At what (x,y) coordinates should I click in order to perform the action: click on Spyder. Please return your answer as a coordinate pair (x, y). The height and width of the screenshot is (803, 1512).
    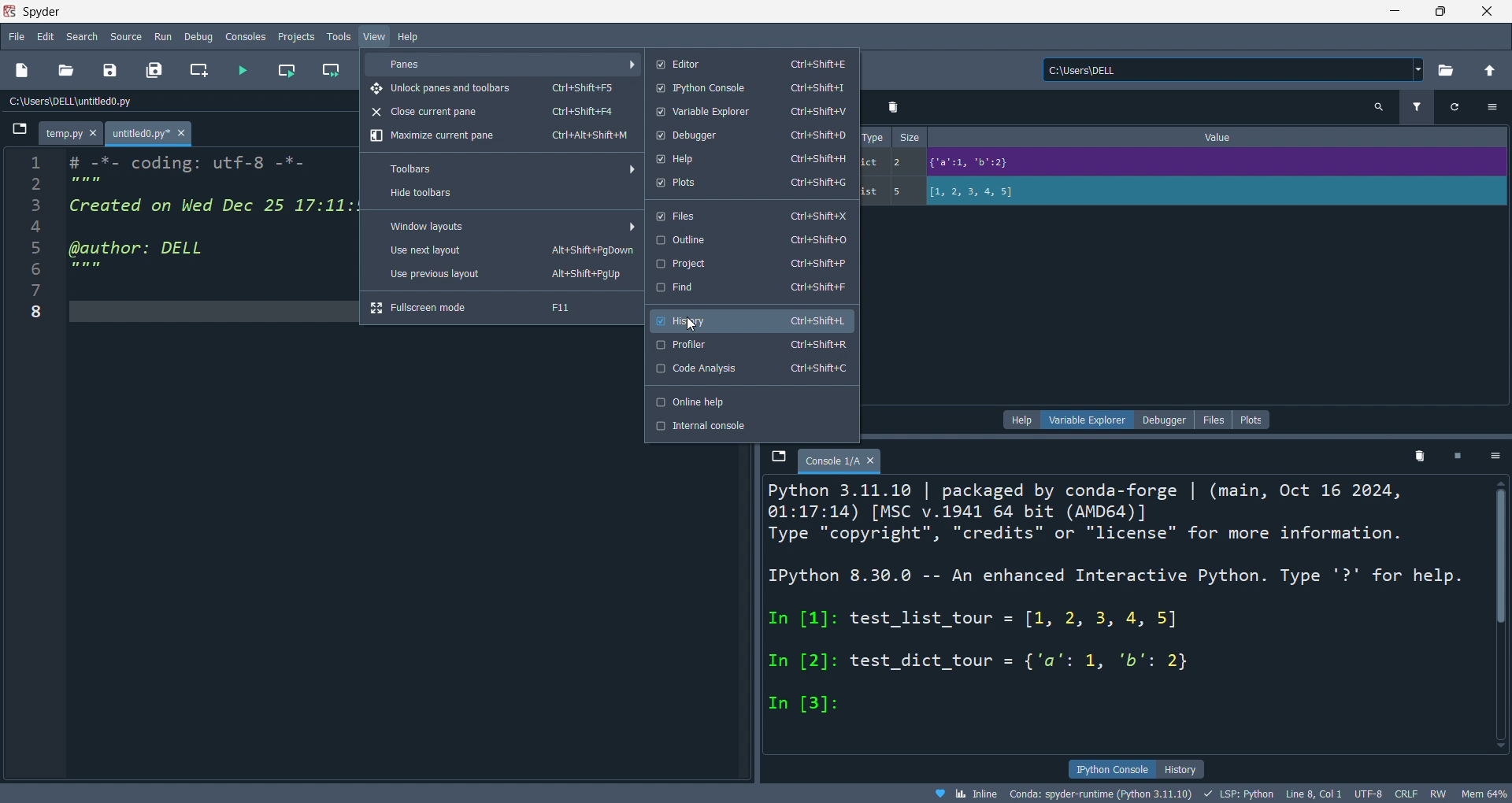
    Looking at the image, I should click on (682, 12).